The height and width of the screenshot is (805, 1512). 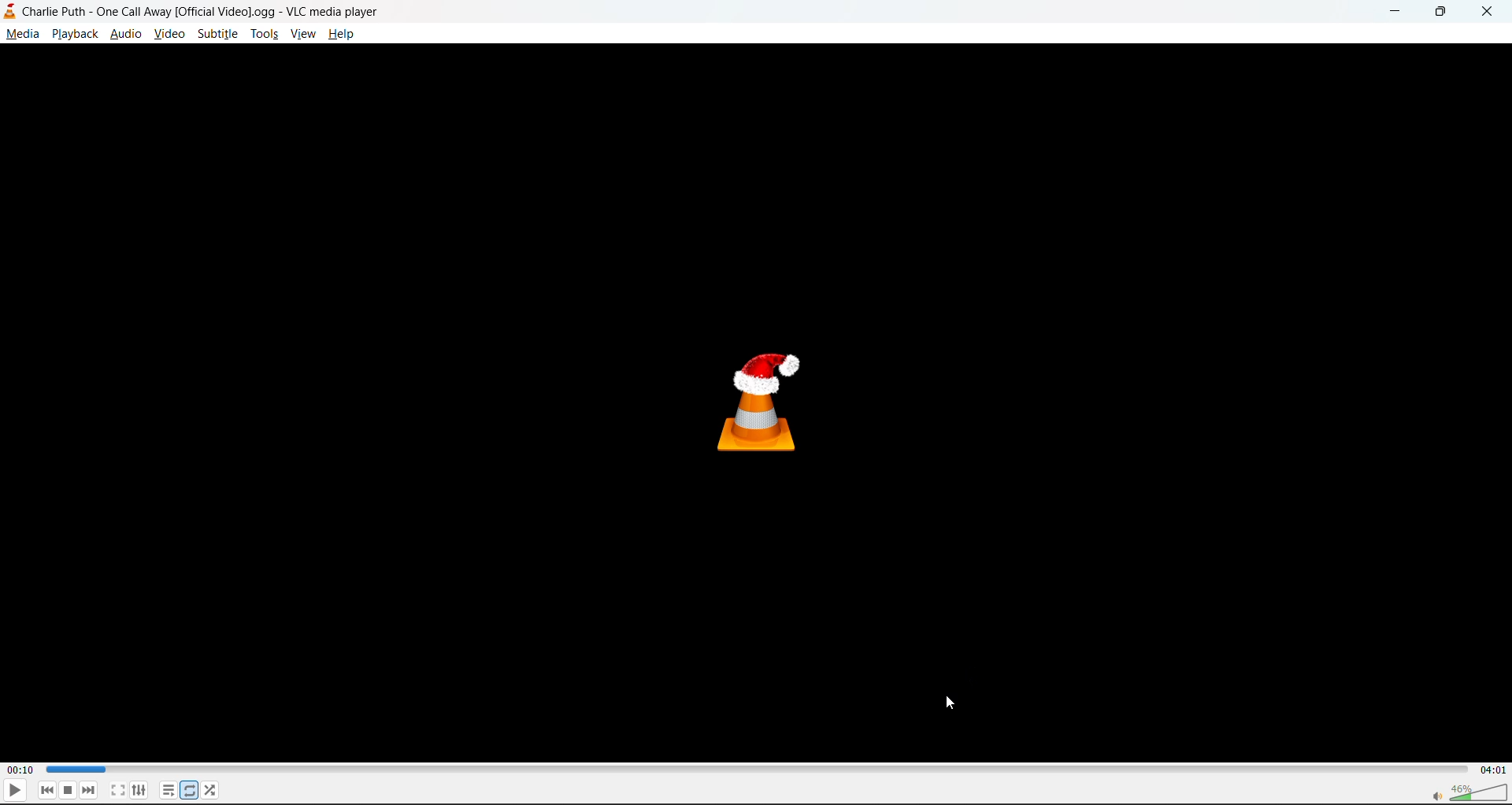 I want to click on subtitle, so click(x=220, y=35).